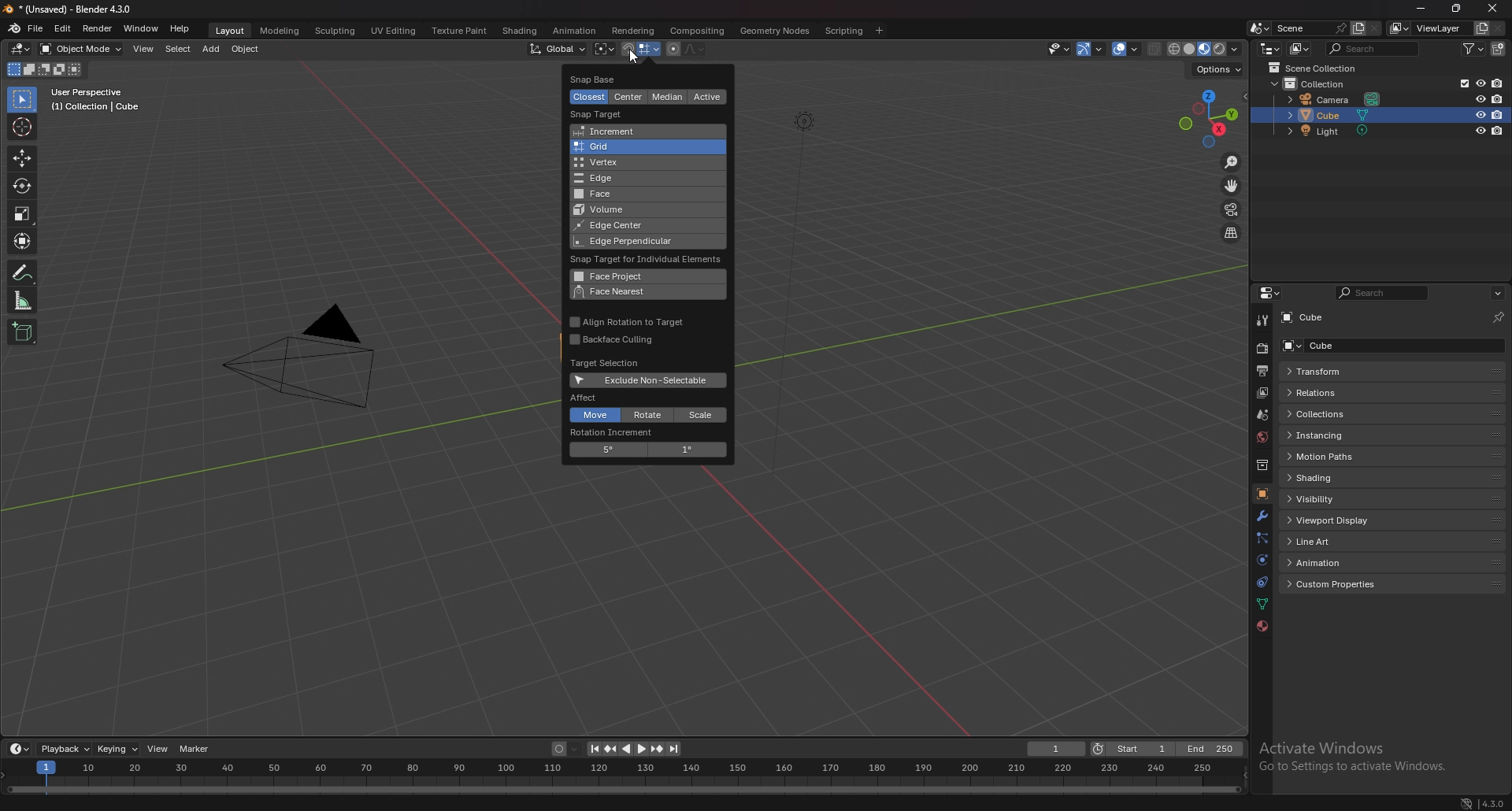  I want to click on disable in renders, so click(1499, 114).